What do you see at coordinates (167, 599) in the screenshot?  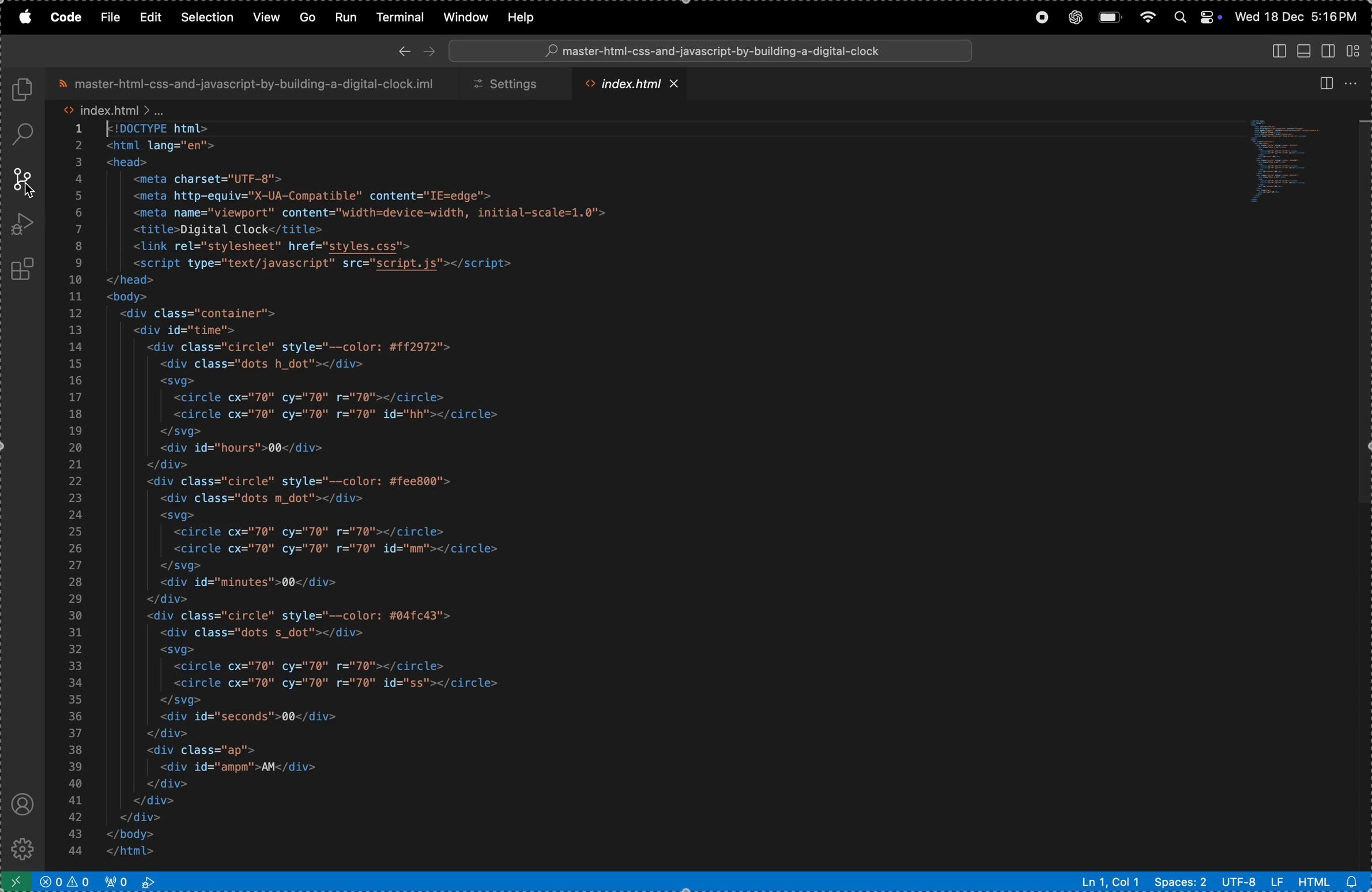 I see `</div>` at bounding box center [167, 599].